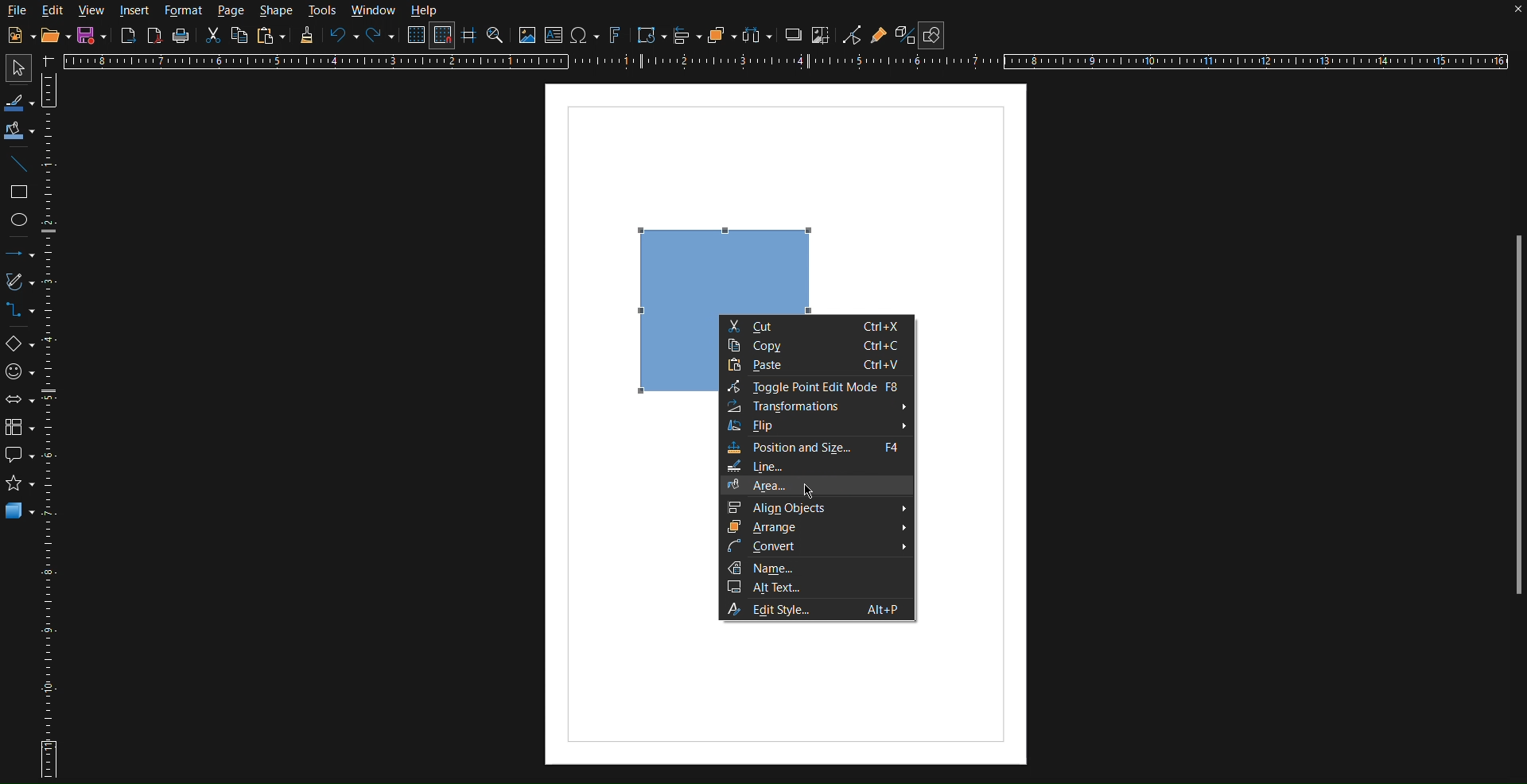 The height and width of the screenshot is (784, 1527). I want to click on Connections, so click(17, 312).